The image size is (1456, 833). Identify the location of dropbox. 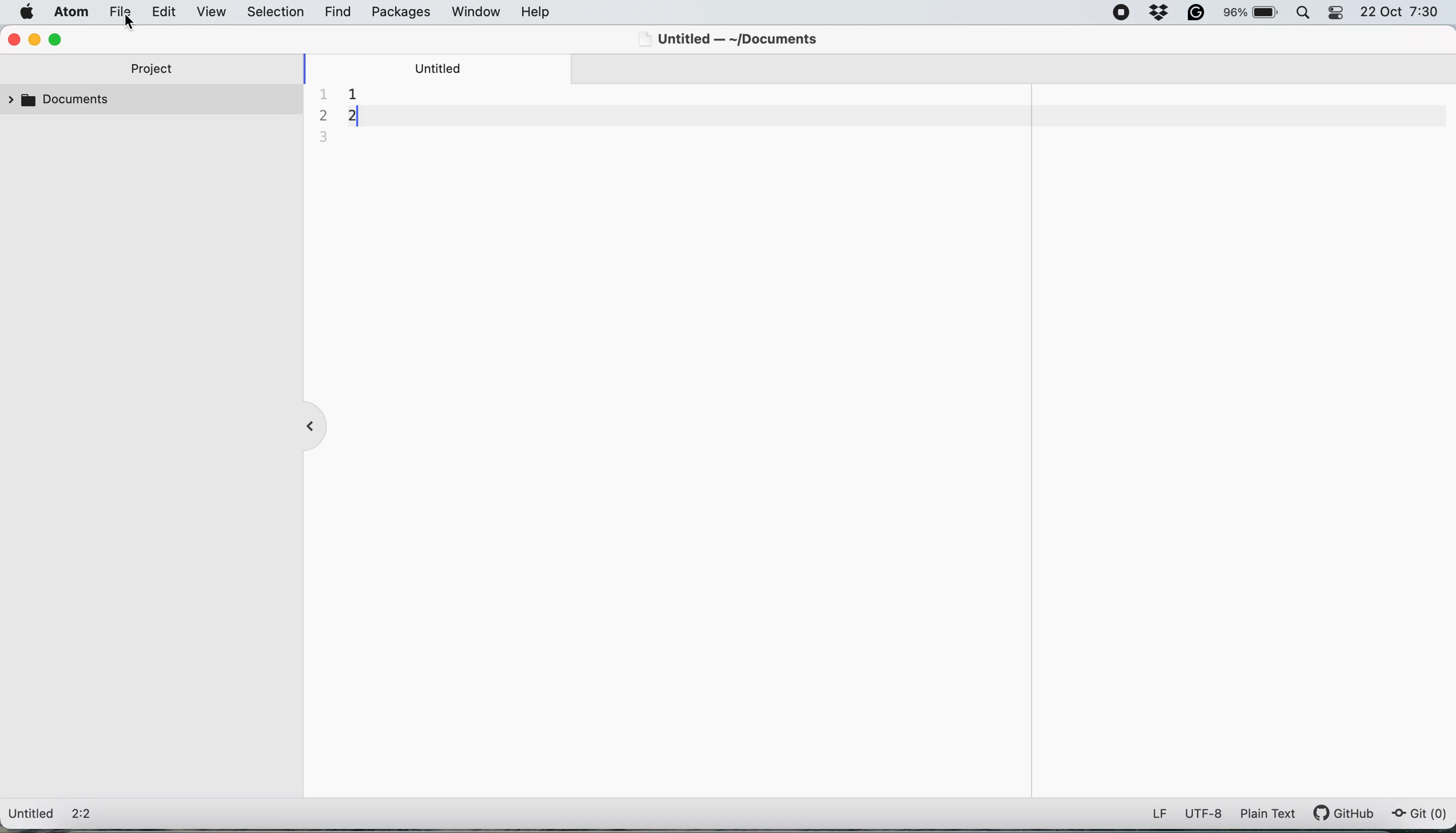
(1158, 15).